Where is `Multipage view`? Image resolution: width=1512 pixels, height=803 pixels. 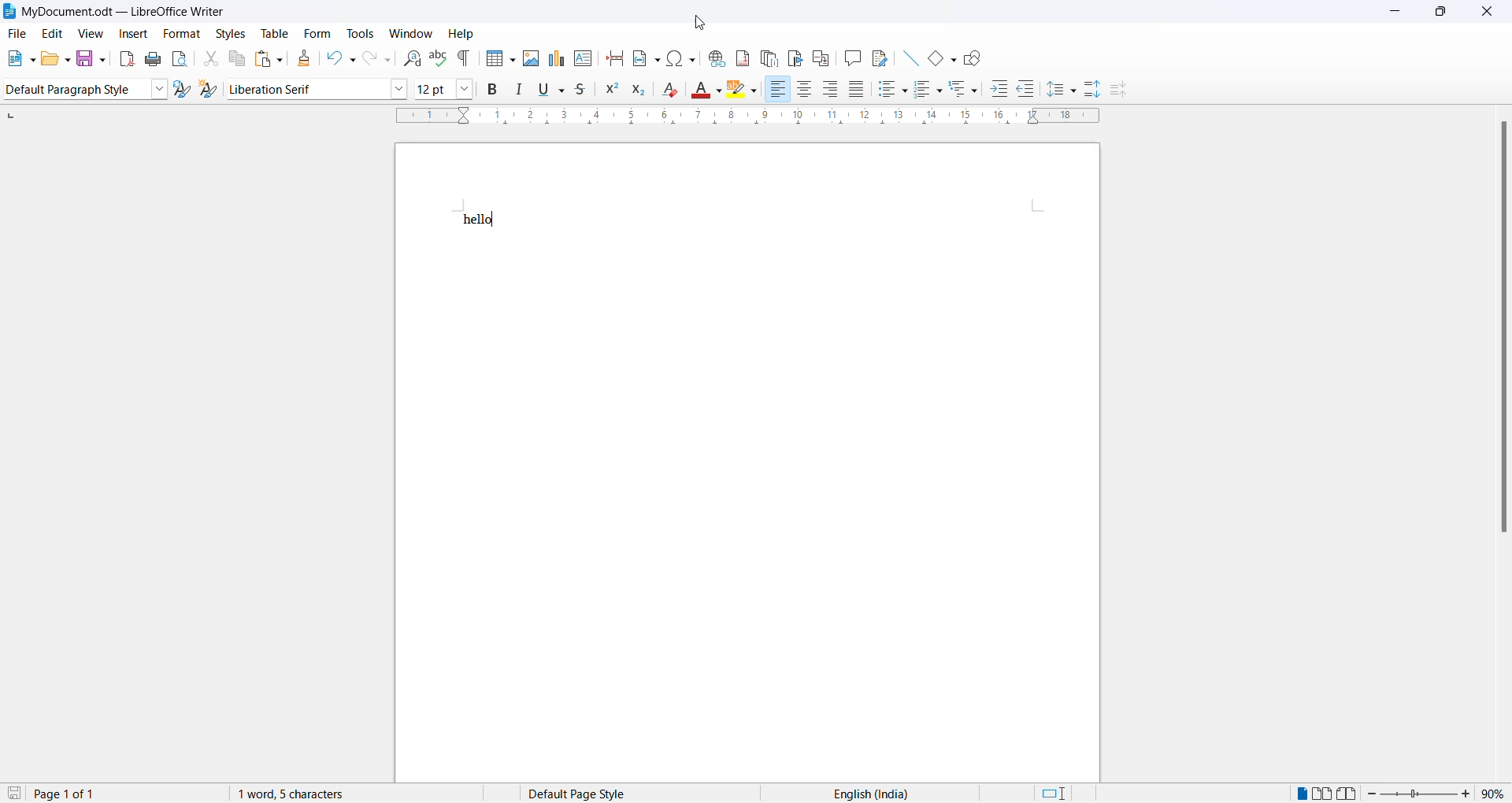 Multipage view is located at coordinates (1322, 793).